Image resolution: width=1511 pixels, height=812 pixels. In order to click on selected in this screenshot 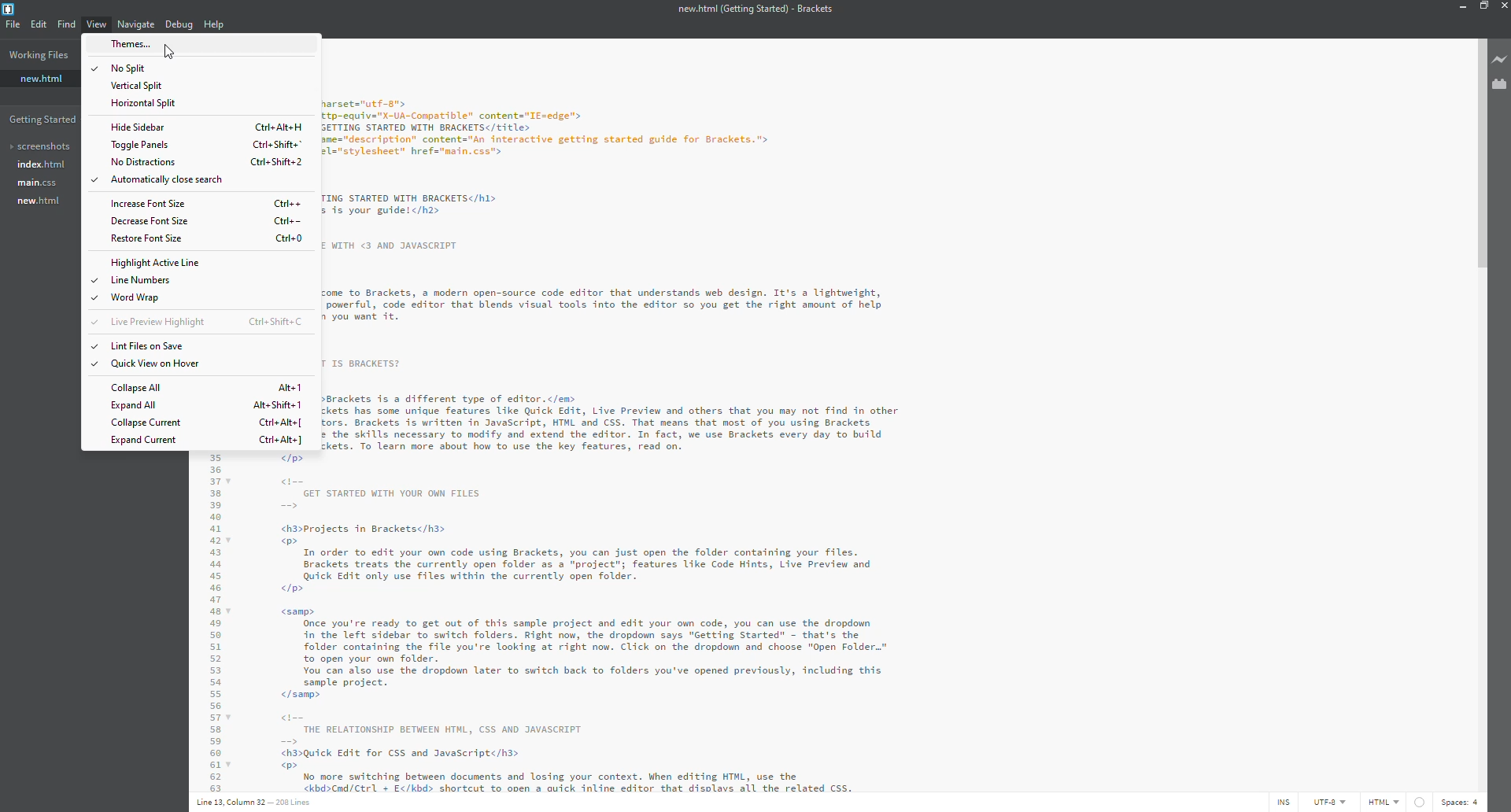, I will do `click(94, 346)`.